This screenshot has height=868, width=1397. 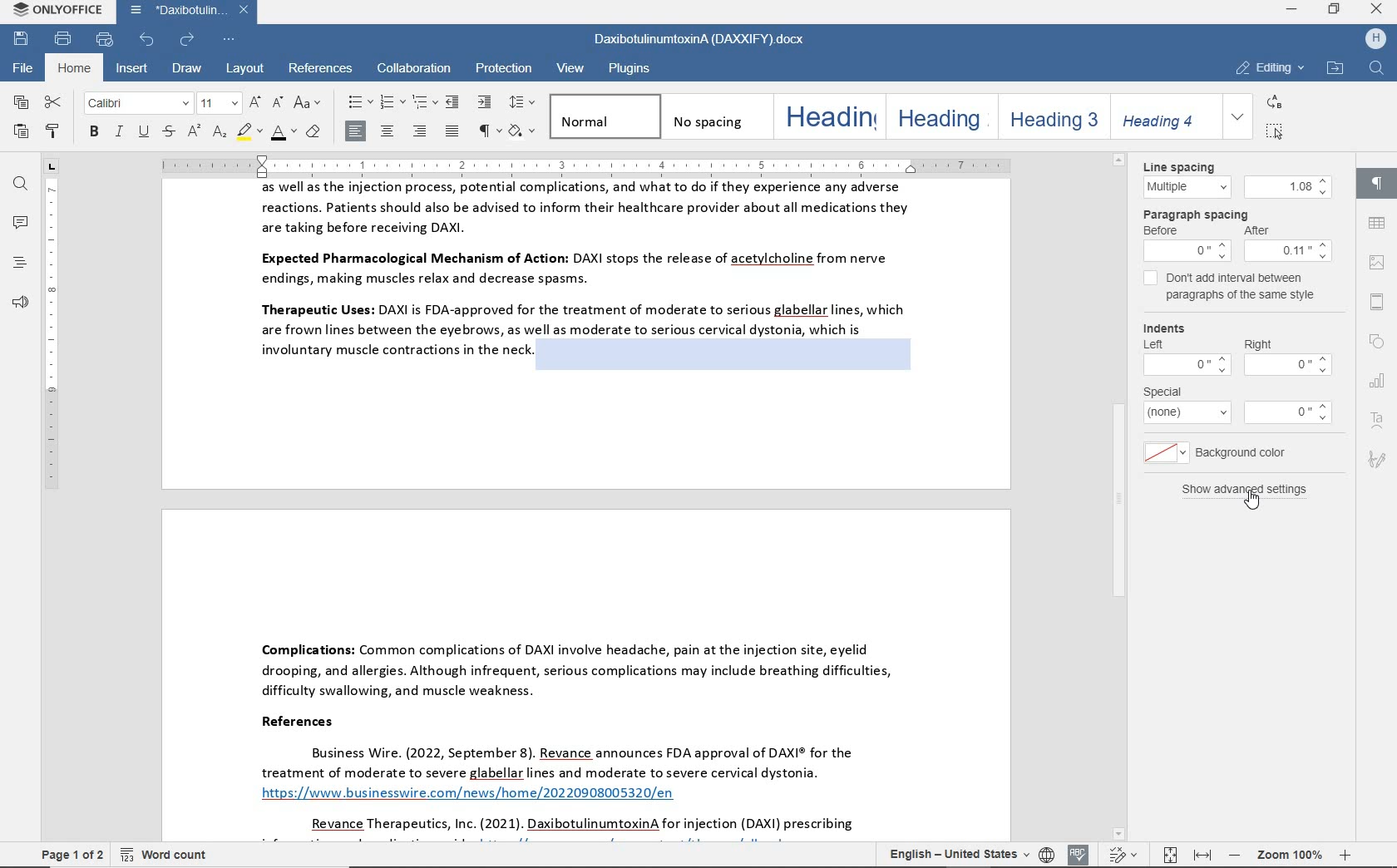 I want to click on view, so click(x=572, y=70).